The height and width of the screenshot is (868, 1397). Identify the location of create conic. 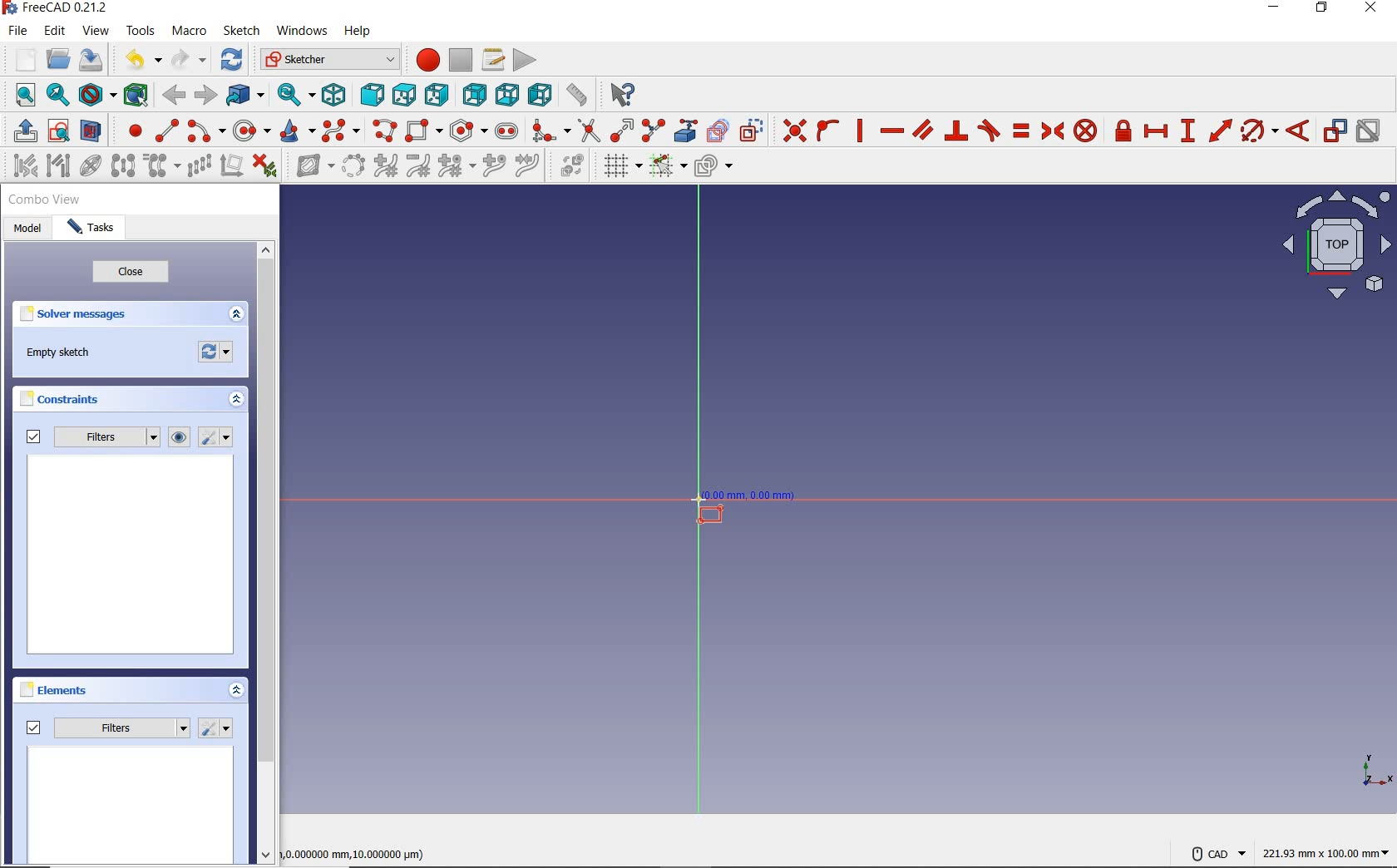
(299, 131).